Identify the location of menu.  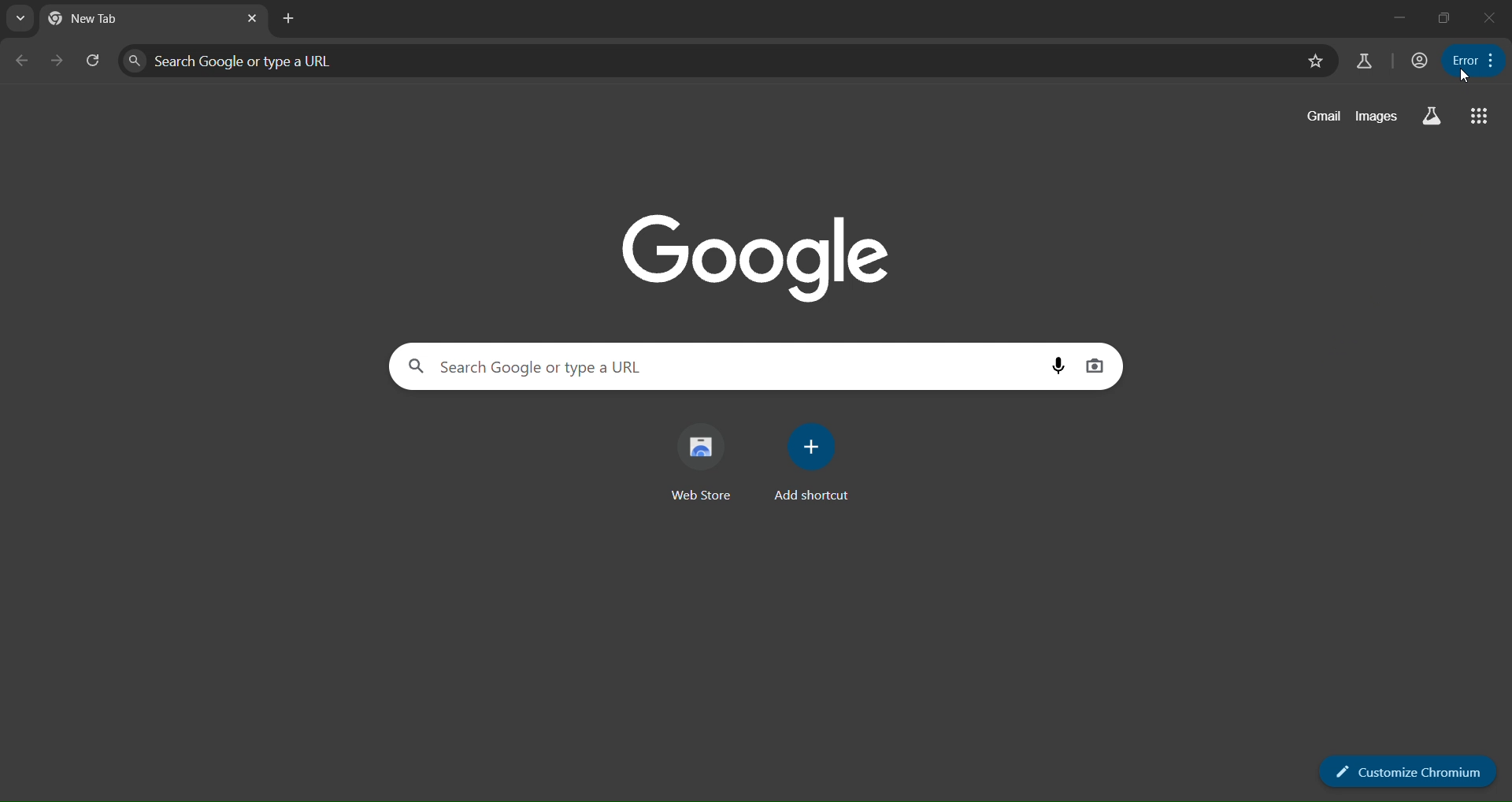
(1473, 58).